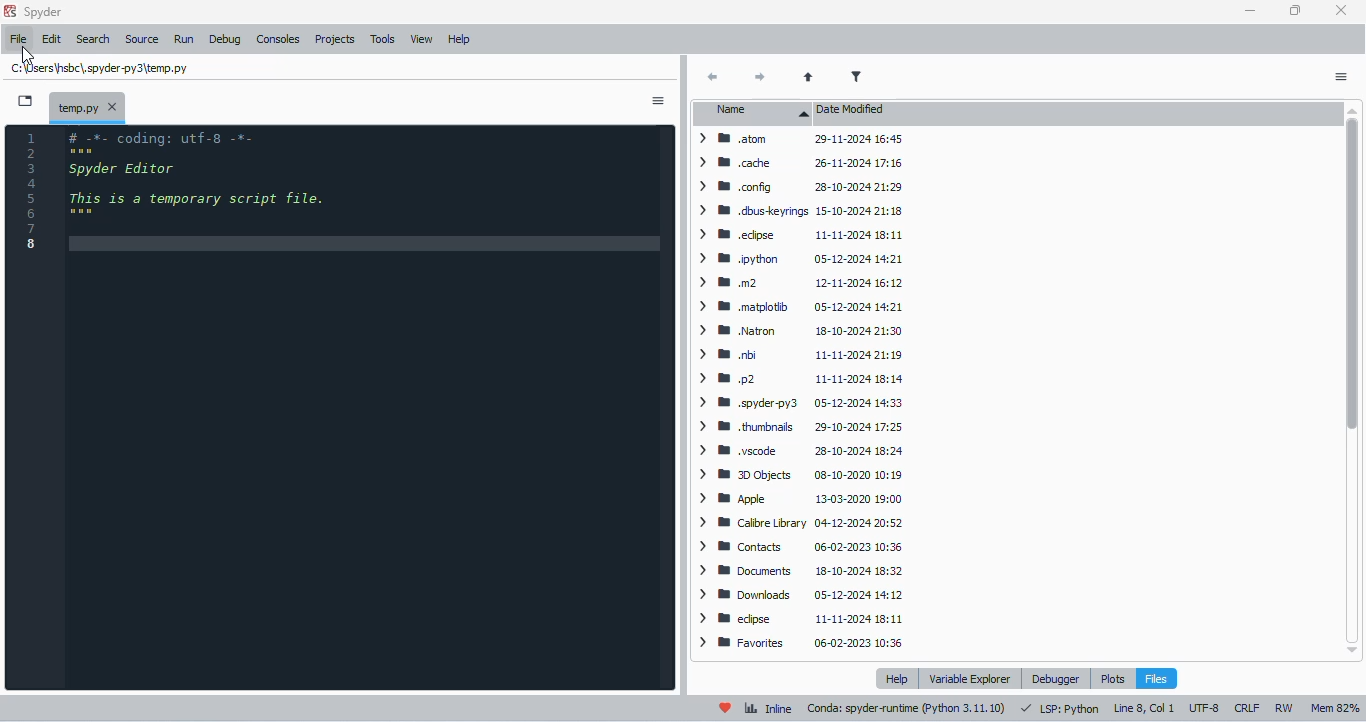 This screenshot has width=1366, height=722. I want to click on > mp2 11-11-2024 18:14, so click(799, 379).